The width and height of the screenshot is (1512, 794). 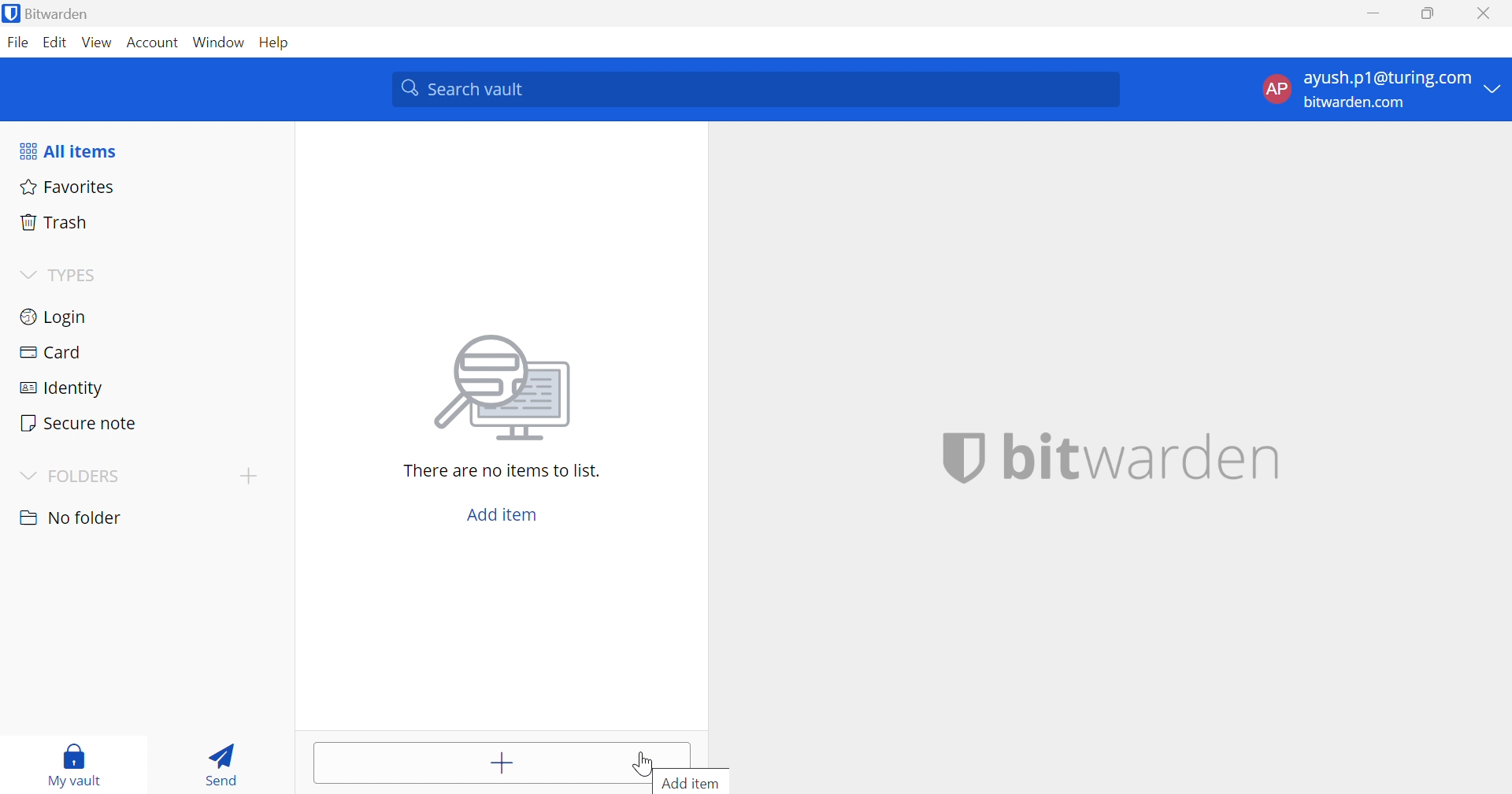 What do you see at coordinates (69, 186) in the screenshot?
I see `Favorites` at bounding box center [69, 186].